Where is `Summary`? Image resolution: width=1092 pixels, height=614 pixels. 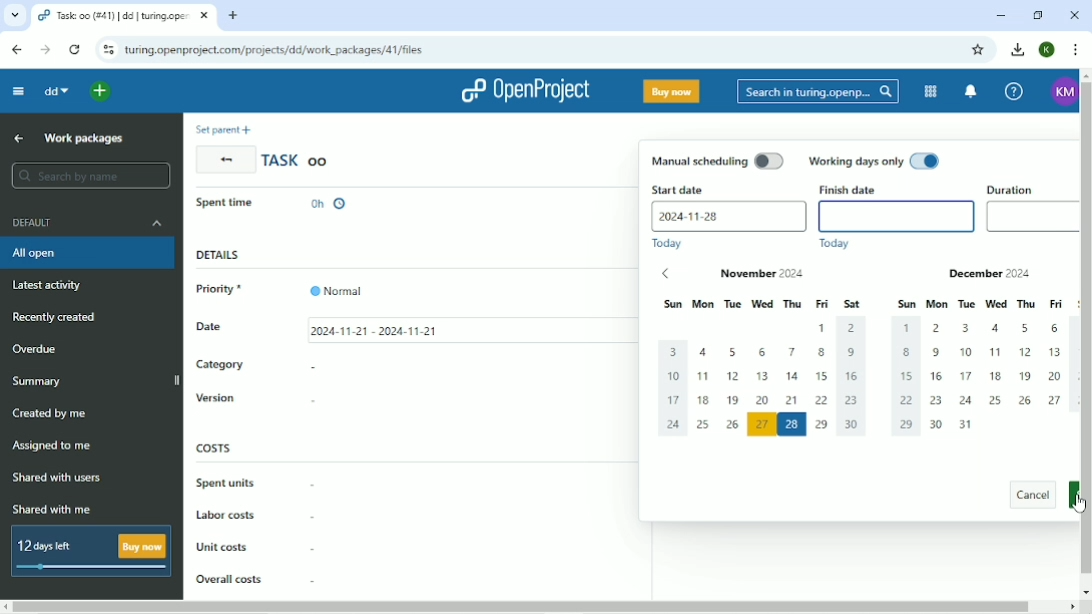
Summary is located at coordinates (41, 380).